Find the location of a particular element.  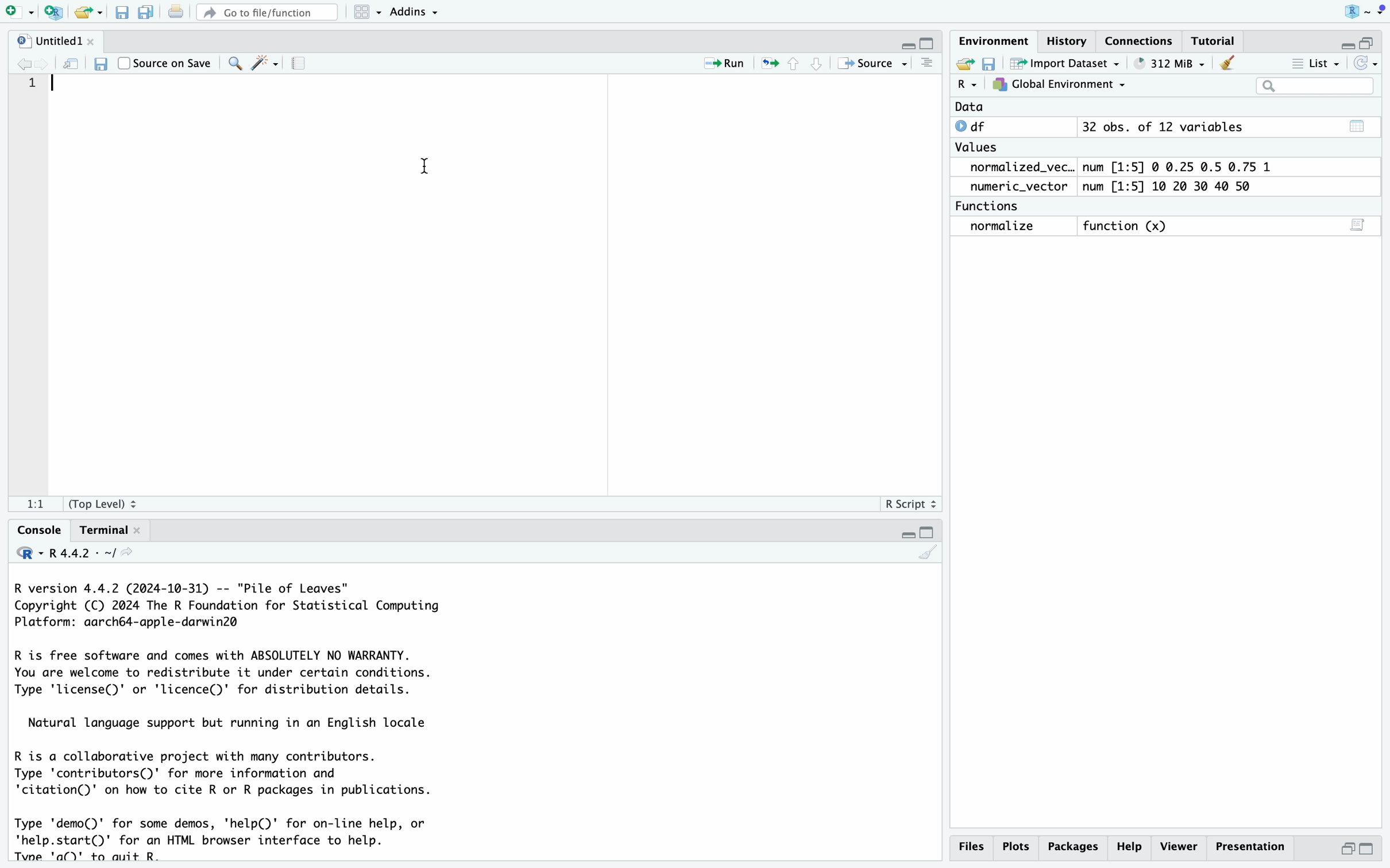

show document line is located at coordinates (928, 66).